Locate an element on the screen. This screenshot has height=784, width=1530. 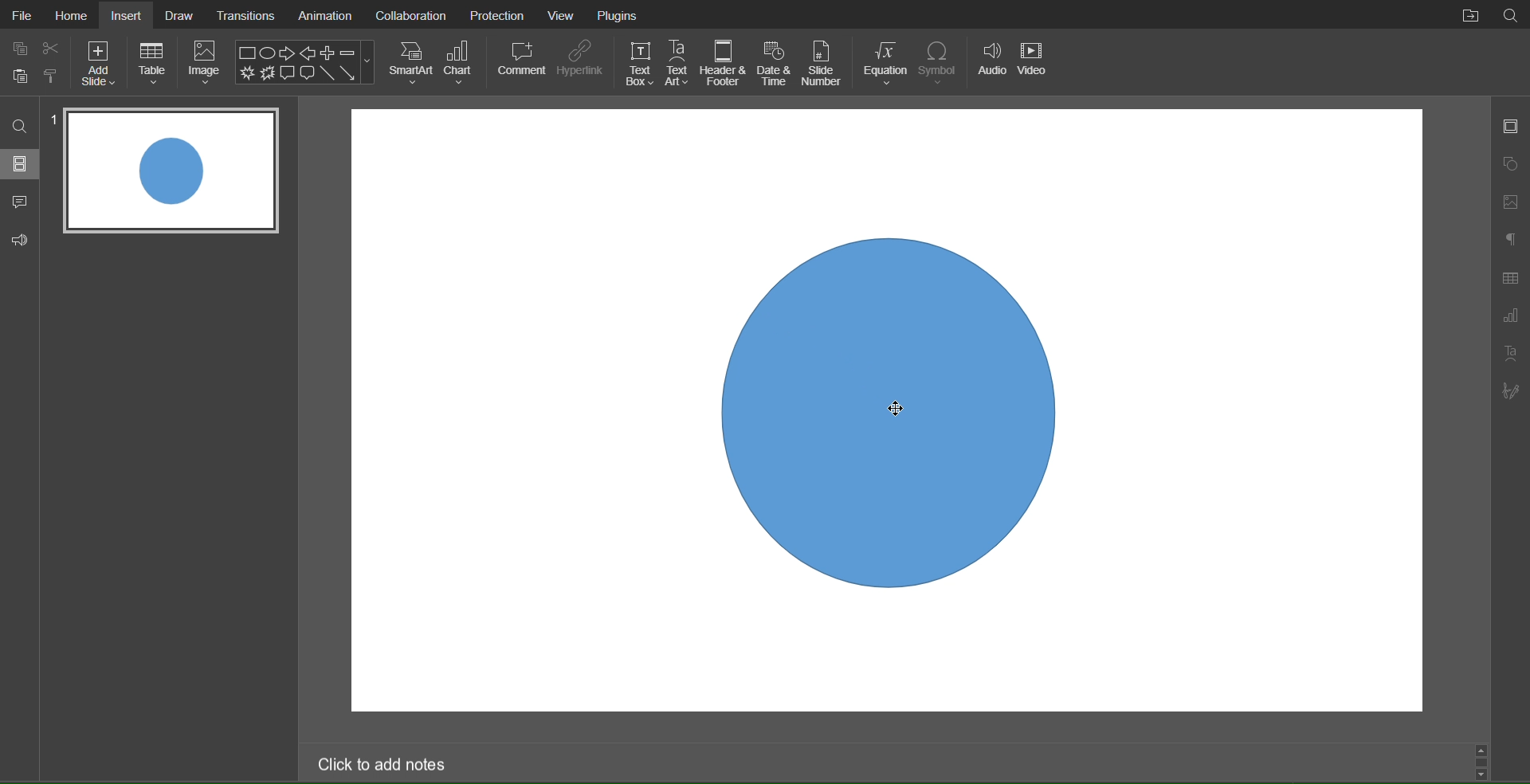
Feedback and Support is located at coordinates (19, 237).